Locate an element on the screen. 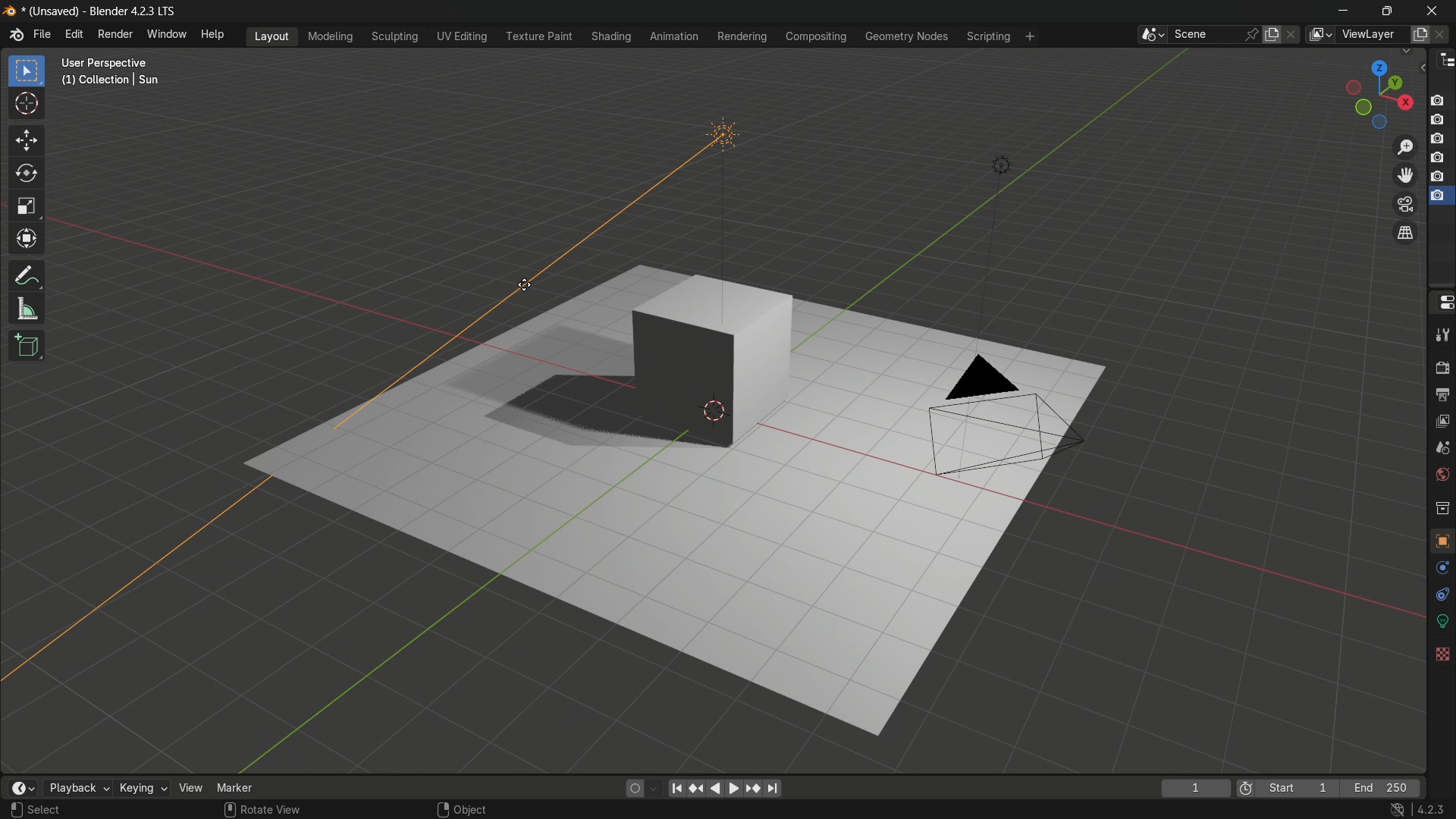 This screenshot has width=1456, height=819. view layer name is located at coordinates (1373, 35).